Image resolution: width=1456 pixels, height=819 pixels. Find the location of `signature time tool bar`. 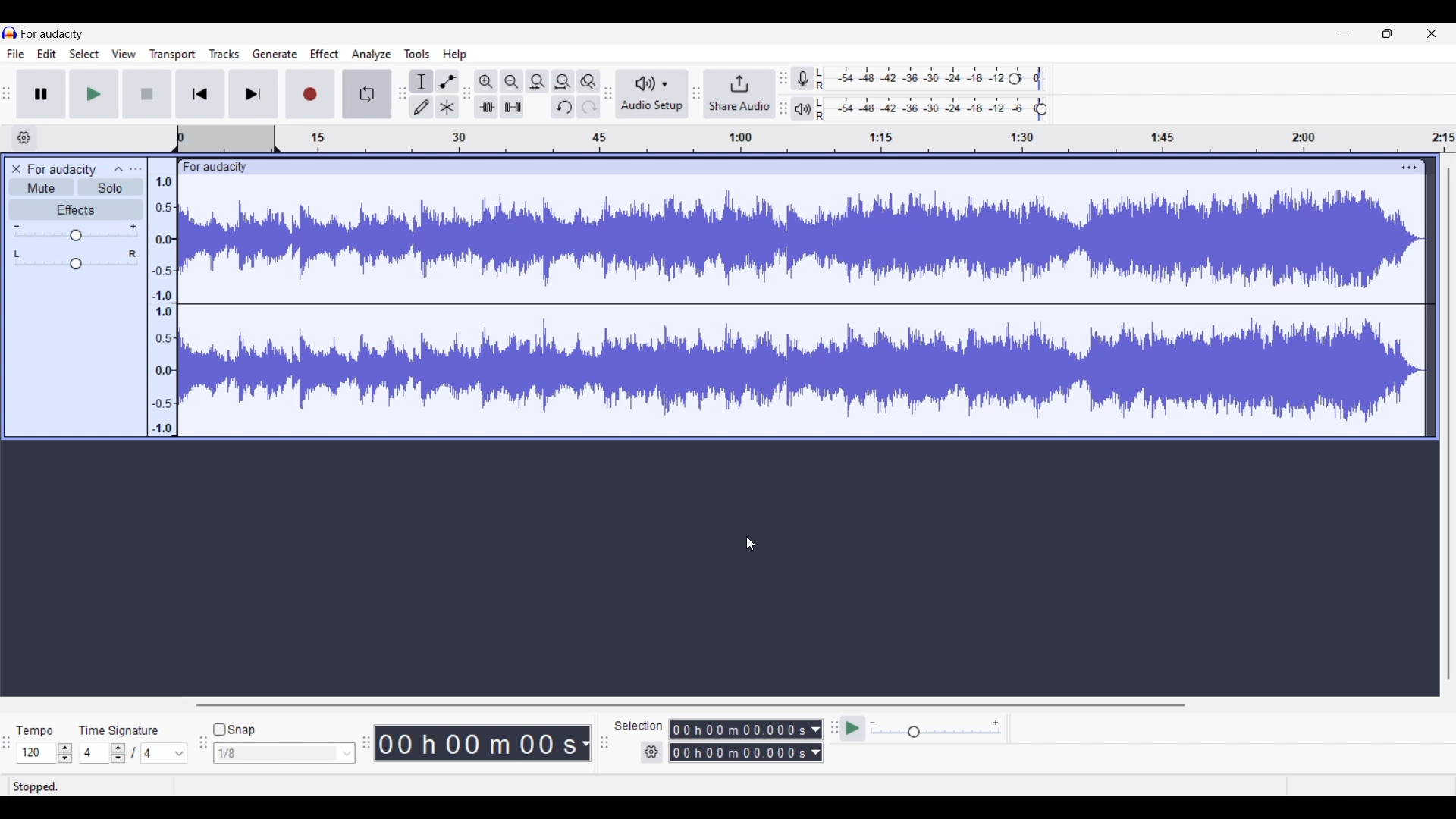

signature time tool bar is located at coordinates (9, 750).